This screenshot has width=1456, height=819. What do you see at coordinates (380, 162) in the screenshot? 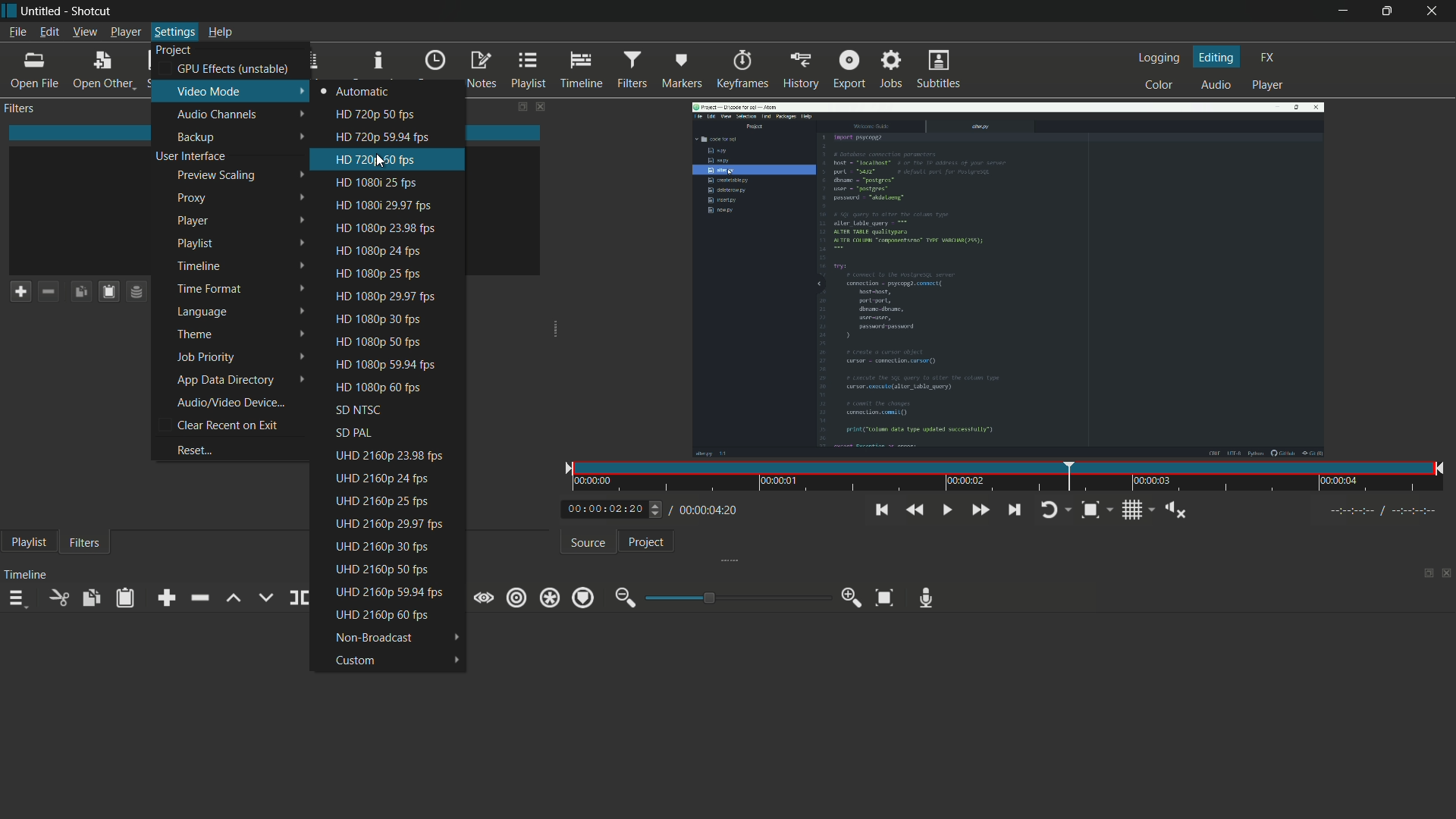
I see `cursor` at bounding box center [380, 162].